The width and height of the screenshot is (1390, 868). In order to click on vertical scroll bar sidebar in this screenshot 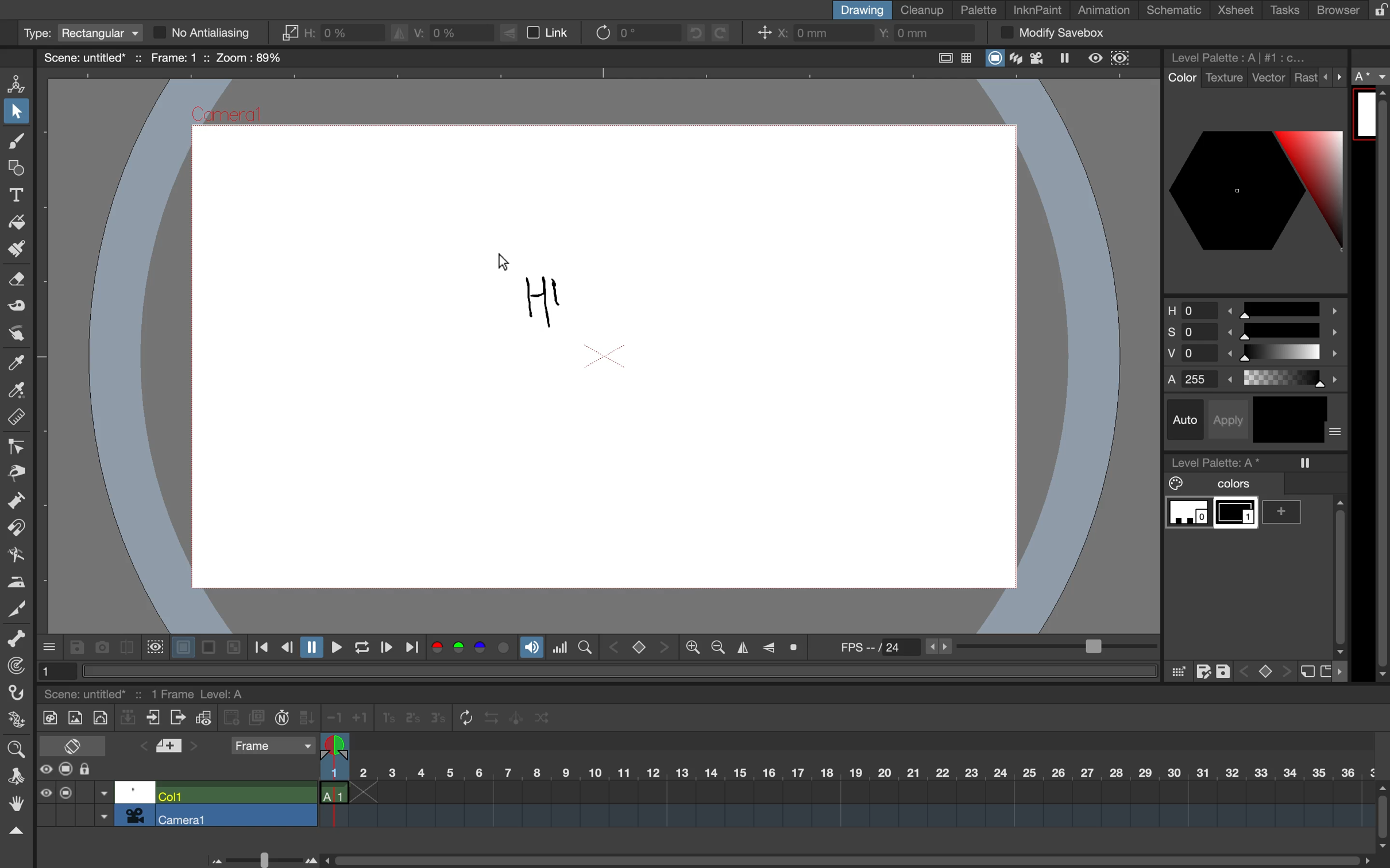, I will do `click(1338, 572)`.